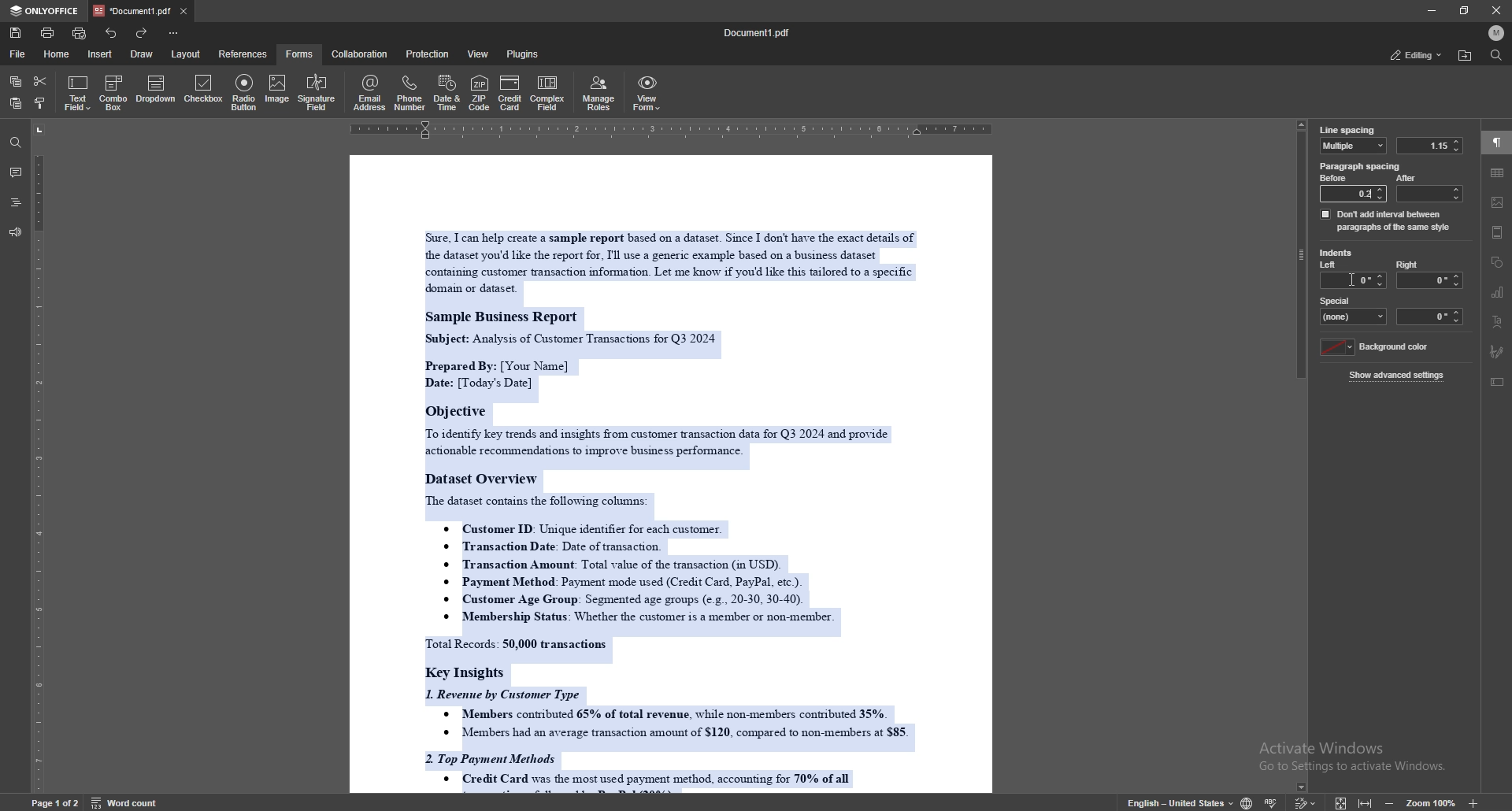  Describe the element at coordinates (78, 93) in the screenshot. I see `text field` at that location.